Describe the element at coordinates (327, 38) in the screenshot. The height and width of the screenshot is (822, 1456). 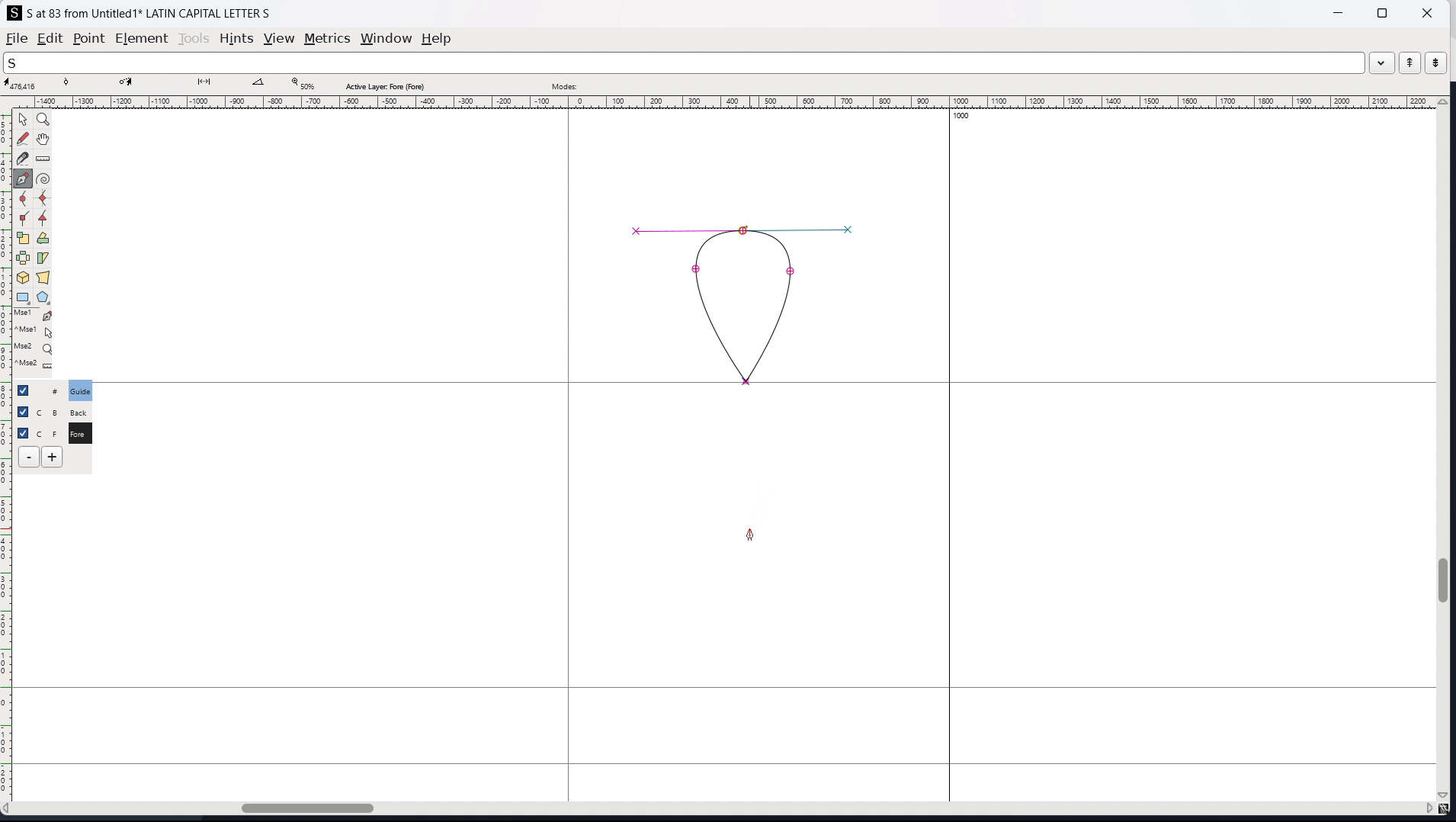
I see `metrics` at that location.